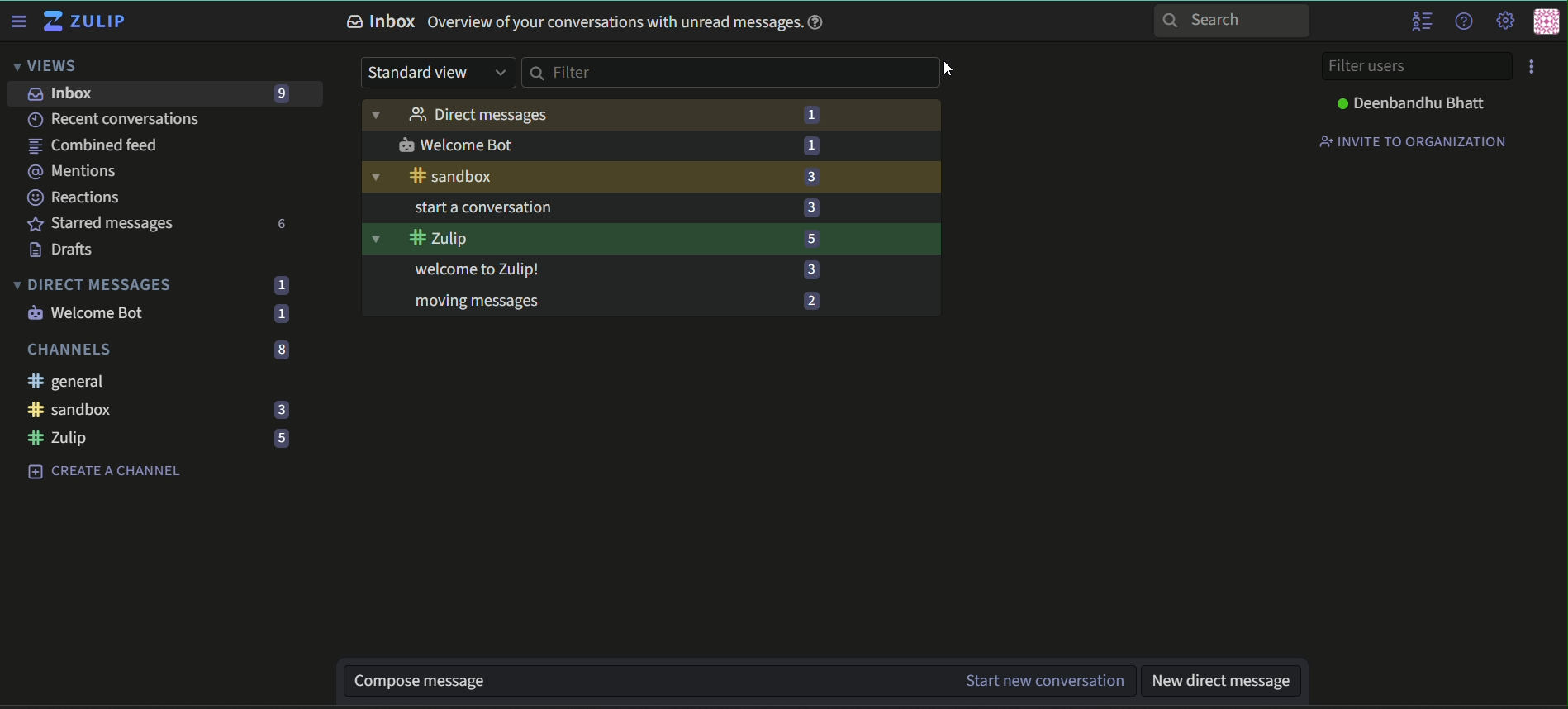 The image size is (1568, 709). What do you see at coordinates (1042, 681) in the screenshot?
I see `start new conversation` at bounding box center [1042, 681].